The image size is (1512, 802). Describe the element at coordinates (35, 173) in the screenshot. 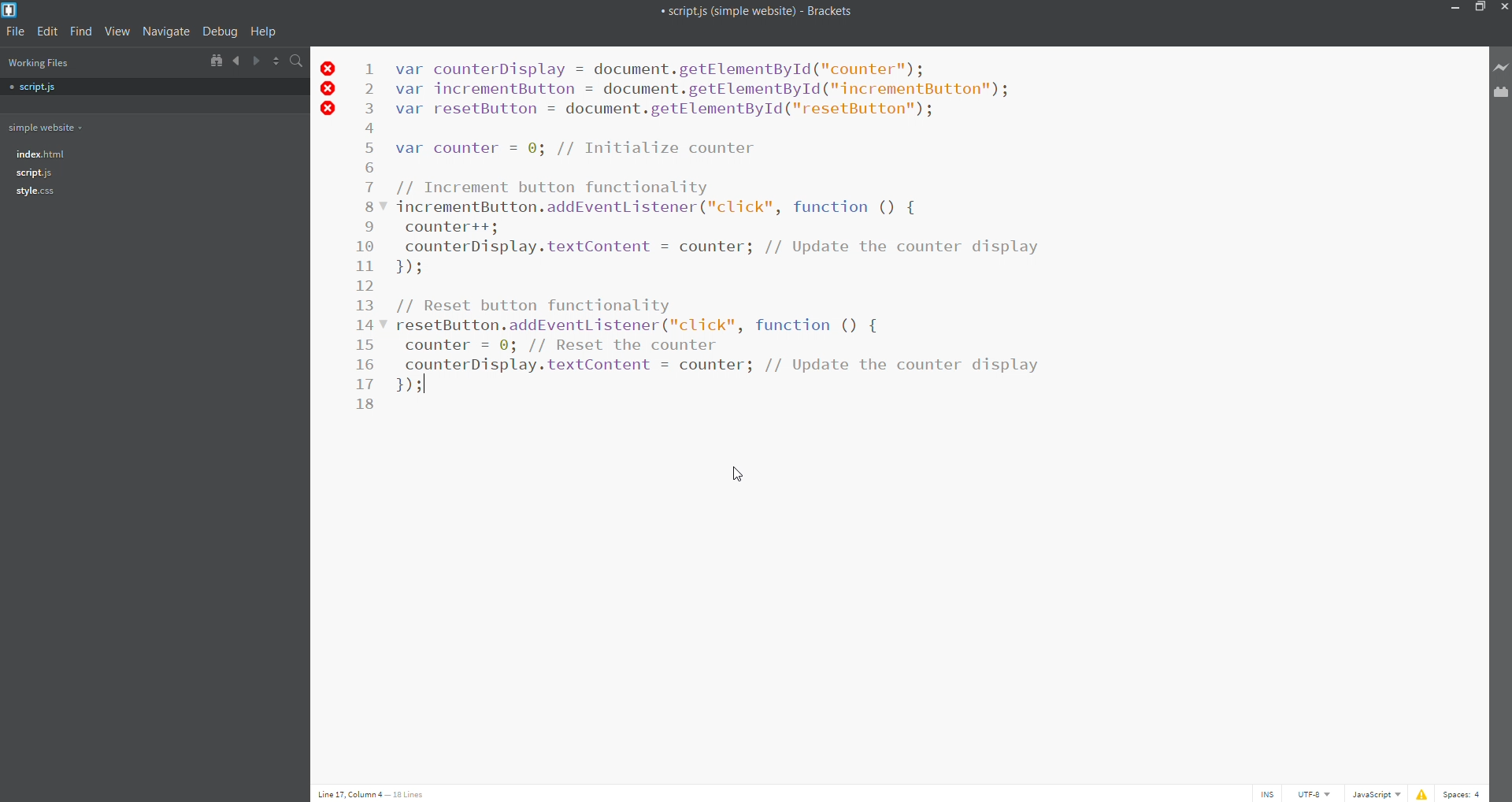

I see `script.js` at that location.